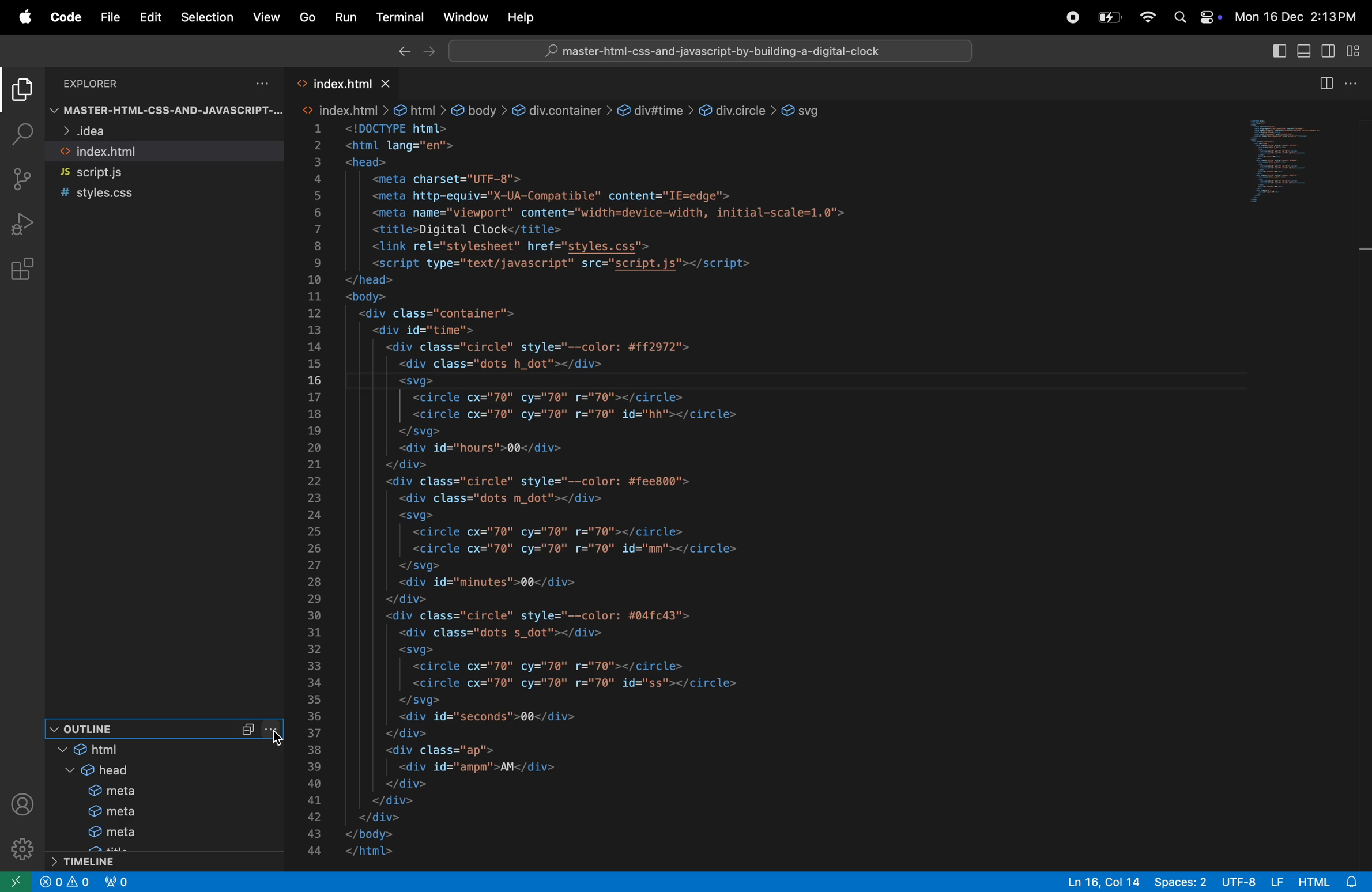 This screenshot has width=1372, height=892. Describe the element at coordinates (316, 492) in the screenshot. I see `line numbers` at that location.